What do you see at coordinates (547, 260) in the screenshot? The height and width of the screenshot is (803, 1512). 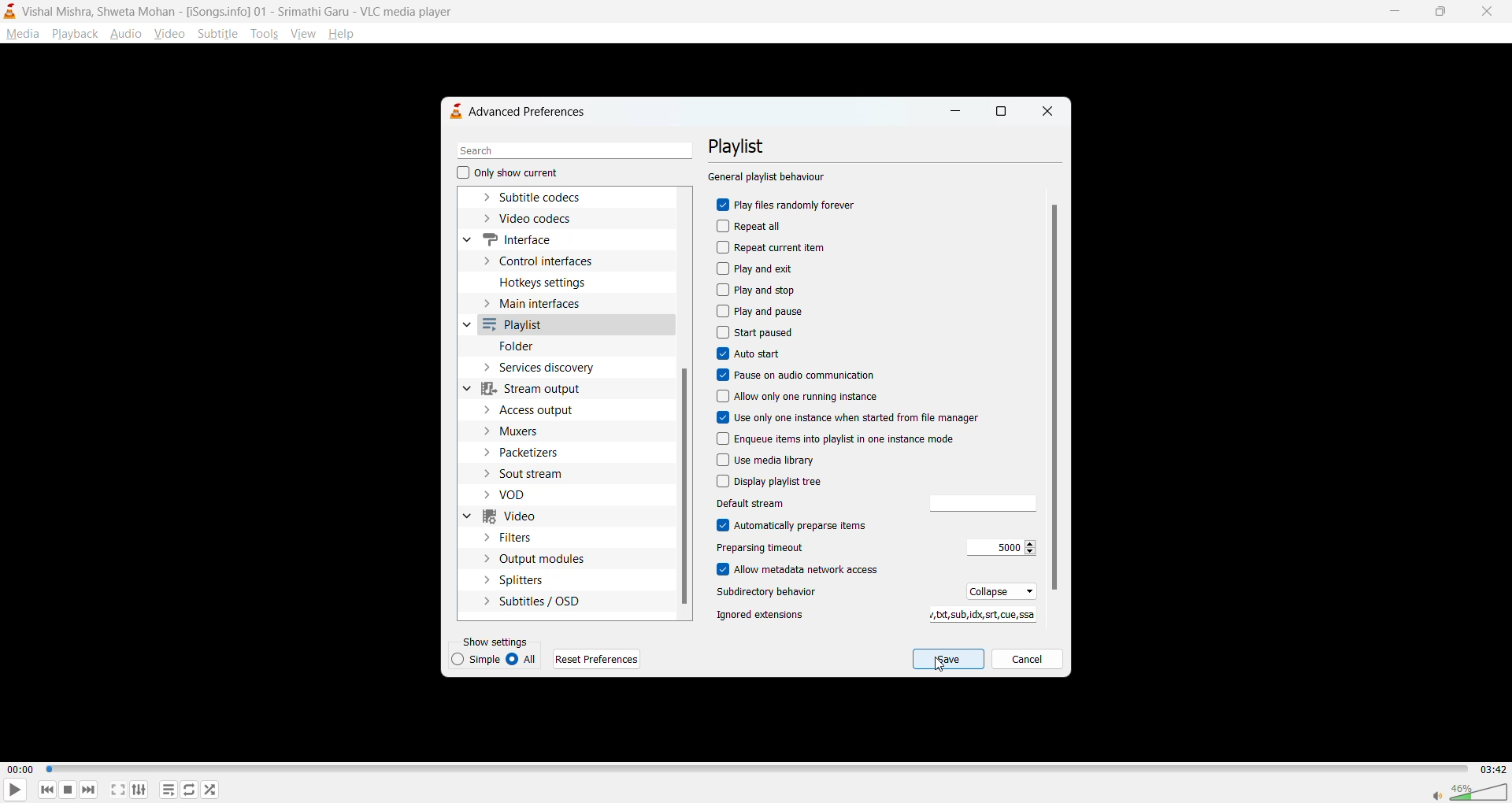 I see `control interfaces` at bounding box center [547, 260].